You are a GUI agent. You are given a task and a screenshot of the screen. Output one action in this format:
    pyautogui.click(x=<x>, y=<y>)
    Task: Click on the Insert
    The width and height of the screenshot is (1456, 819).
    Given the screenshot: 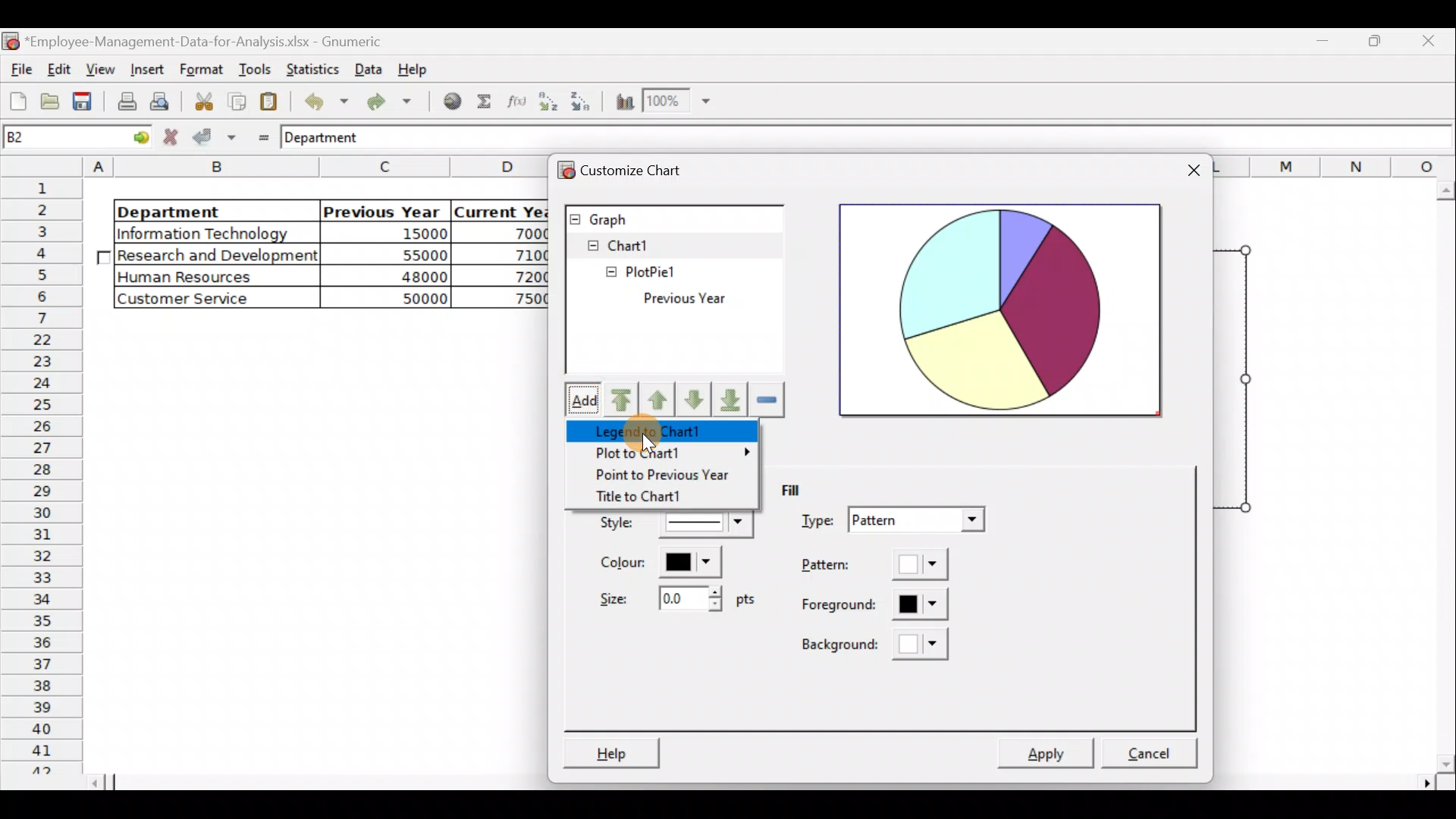 What is the action you would take?
    pyautogui.click(x=146, y=68)
    